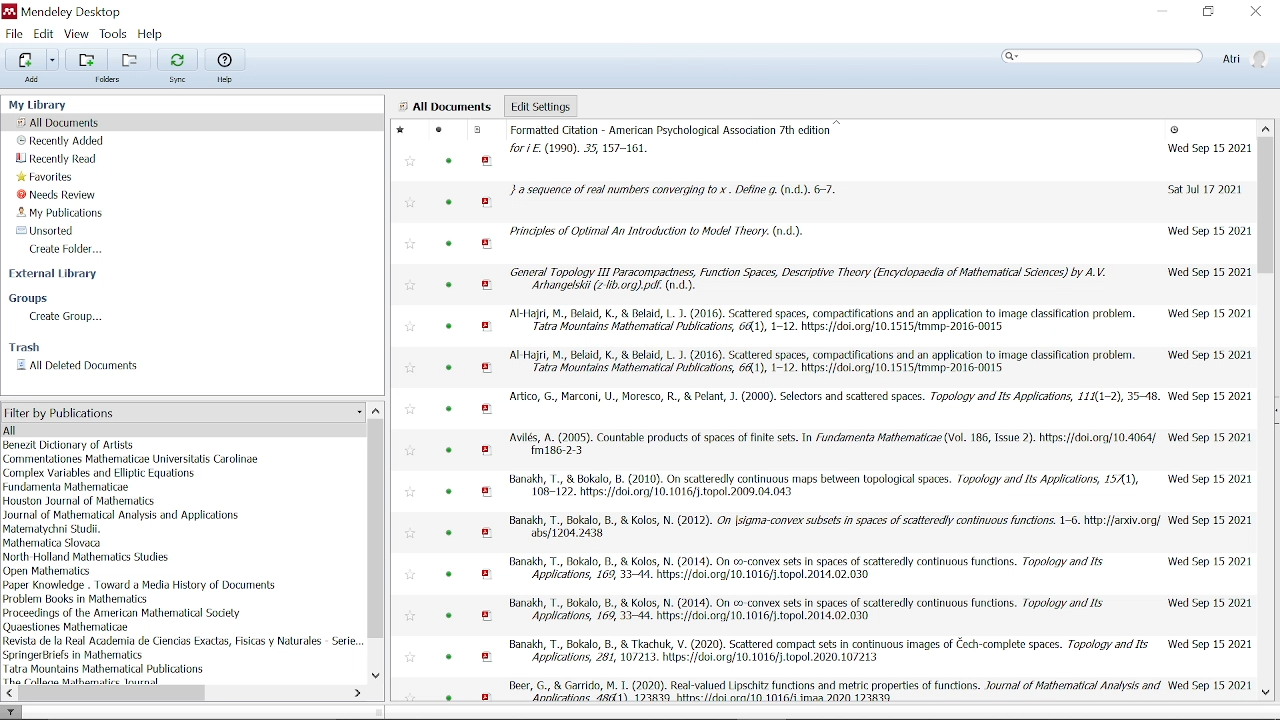  Describe the element at coordinates (439, 131) in the screenshot. I see `read status` at that location.